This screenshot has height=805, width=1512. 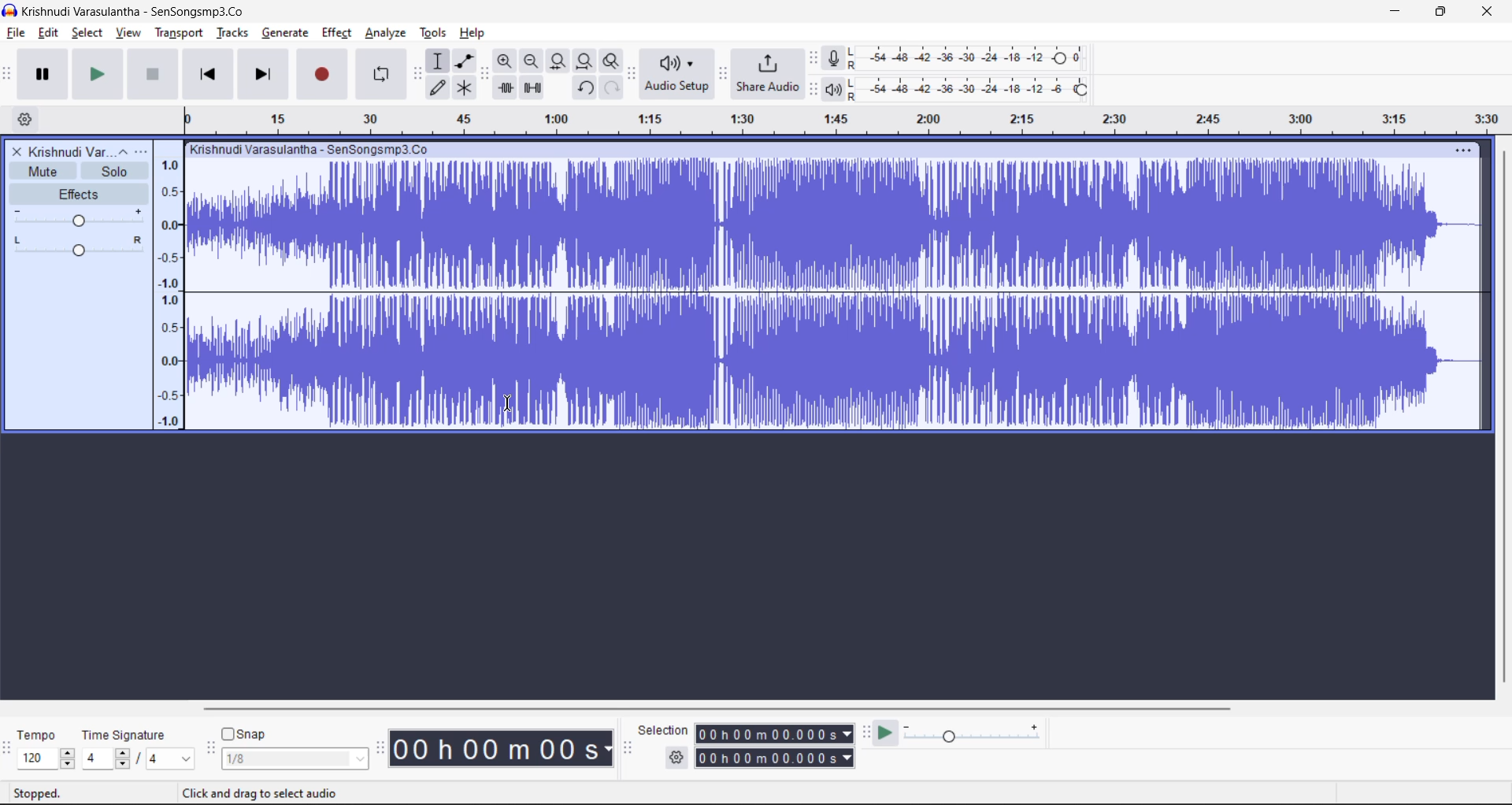 I want to click on analyze, so click(x=388, y=33).